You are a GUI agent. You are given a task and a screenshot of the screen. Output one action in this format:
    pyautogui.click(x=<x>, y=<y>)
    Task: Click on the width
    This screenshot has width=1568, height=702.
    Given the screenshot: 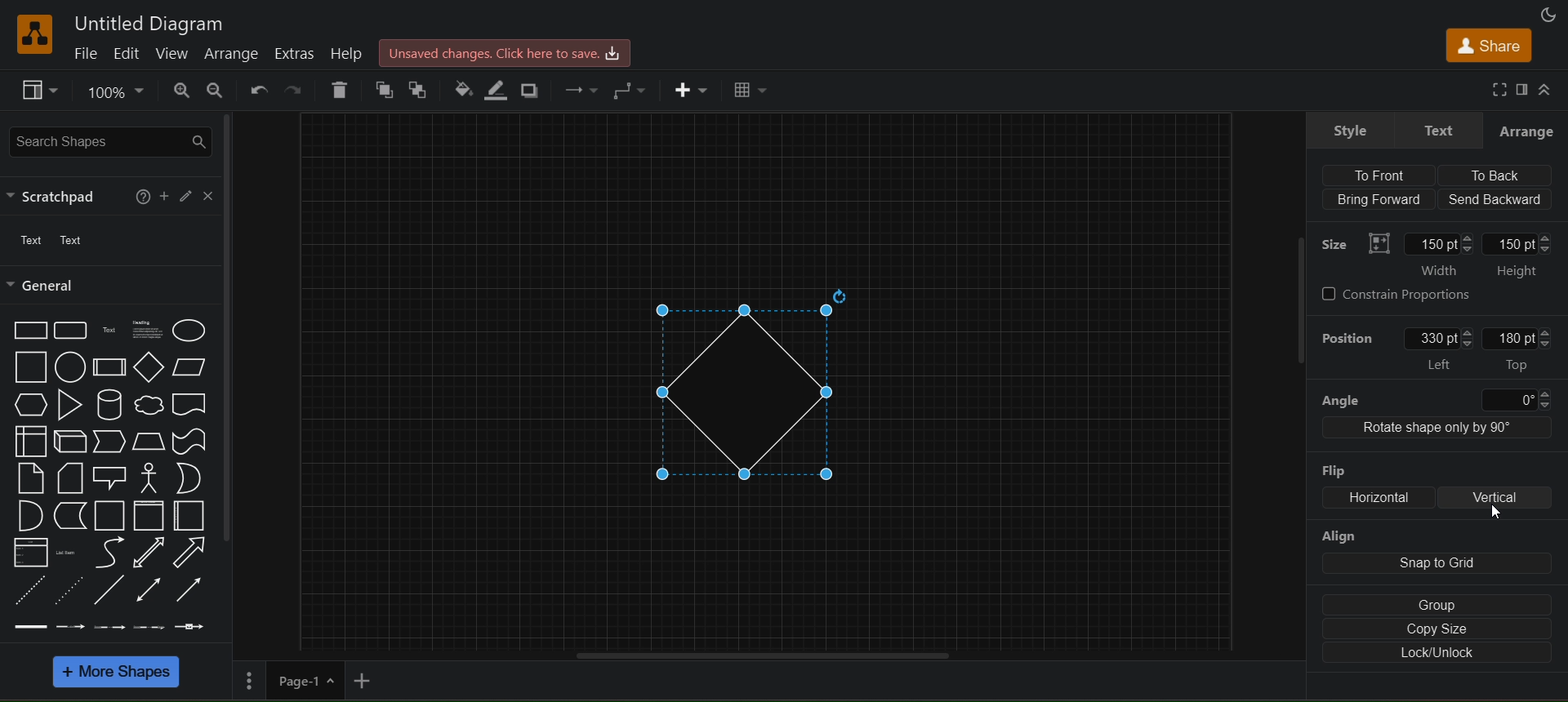 What is the action you would take?
    pyautogui.click(x=1439, y=258)
    